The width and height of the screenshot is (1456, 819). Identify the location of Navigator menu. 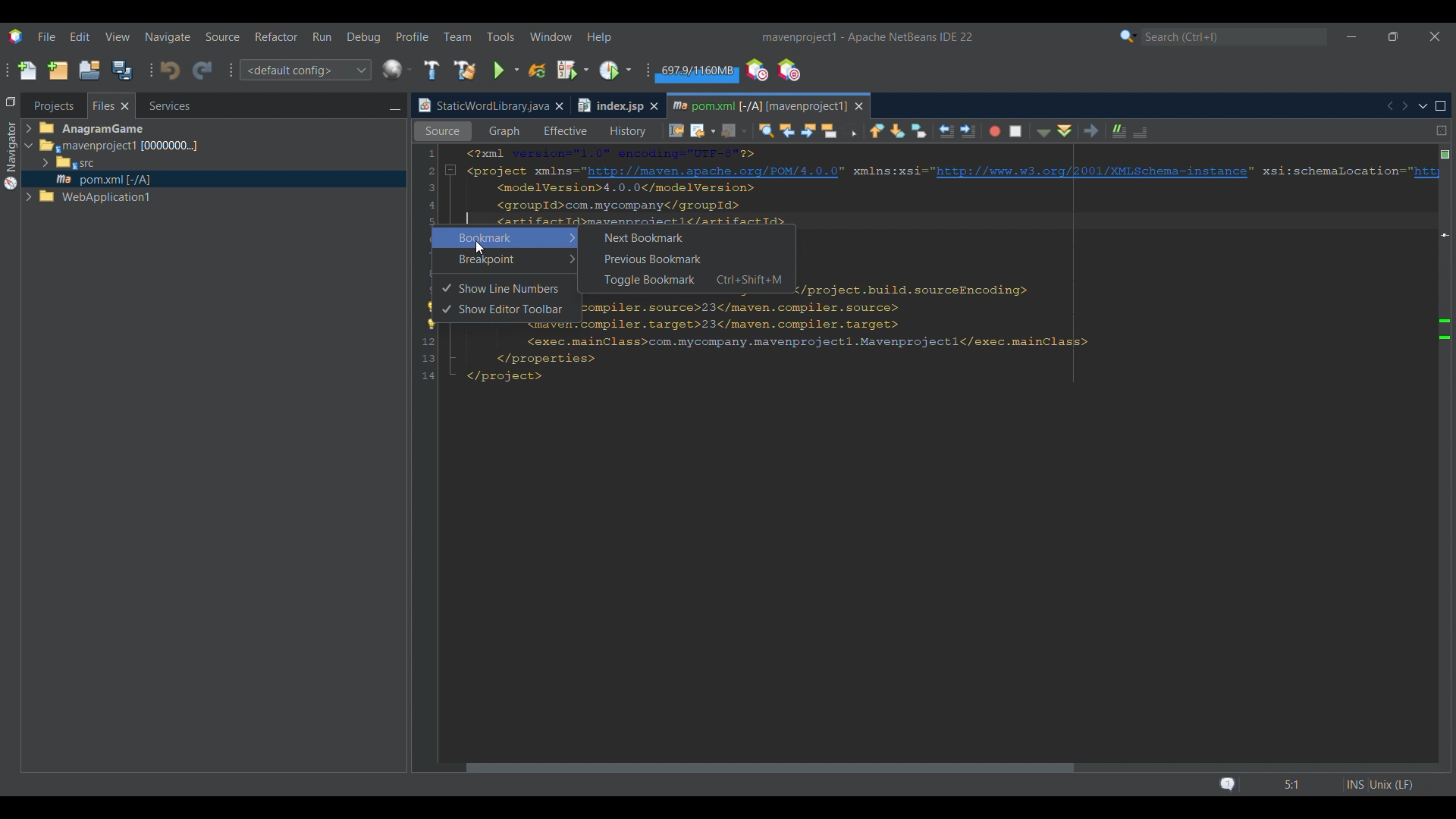
(9, 155).